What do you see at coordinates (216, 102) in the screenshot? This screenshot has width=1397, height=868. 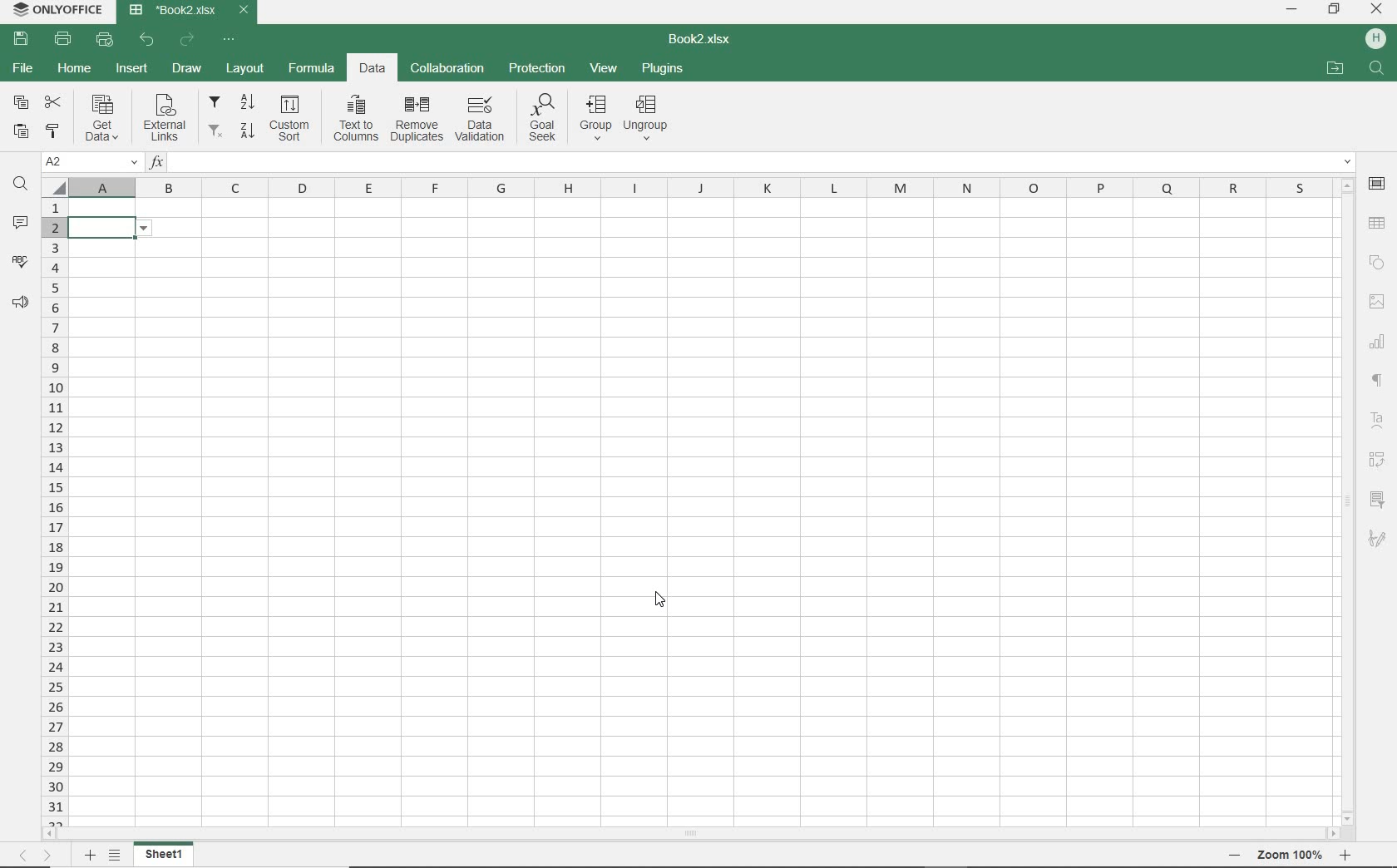 I see `filter` at bounding box center [216, 102].